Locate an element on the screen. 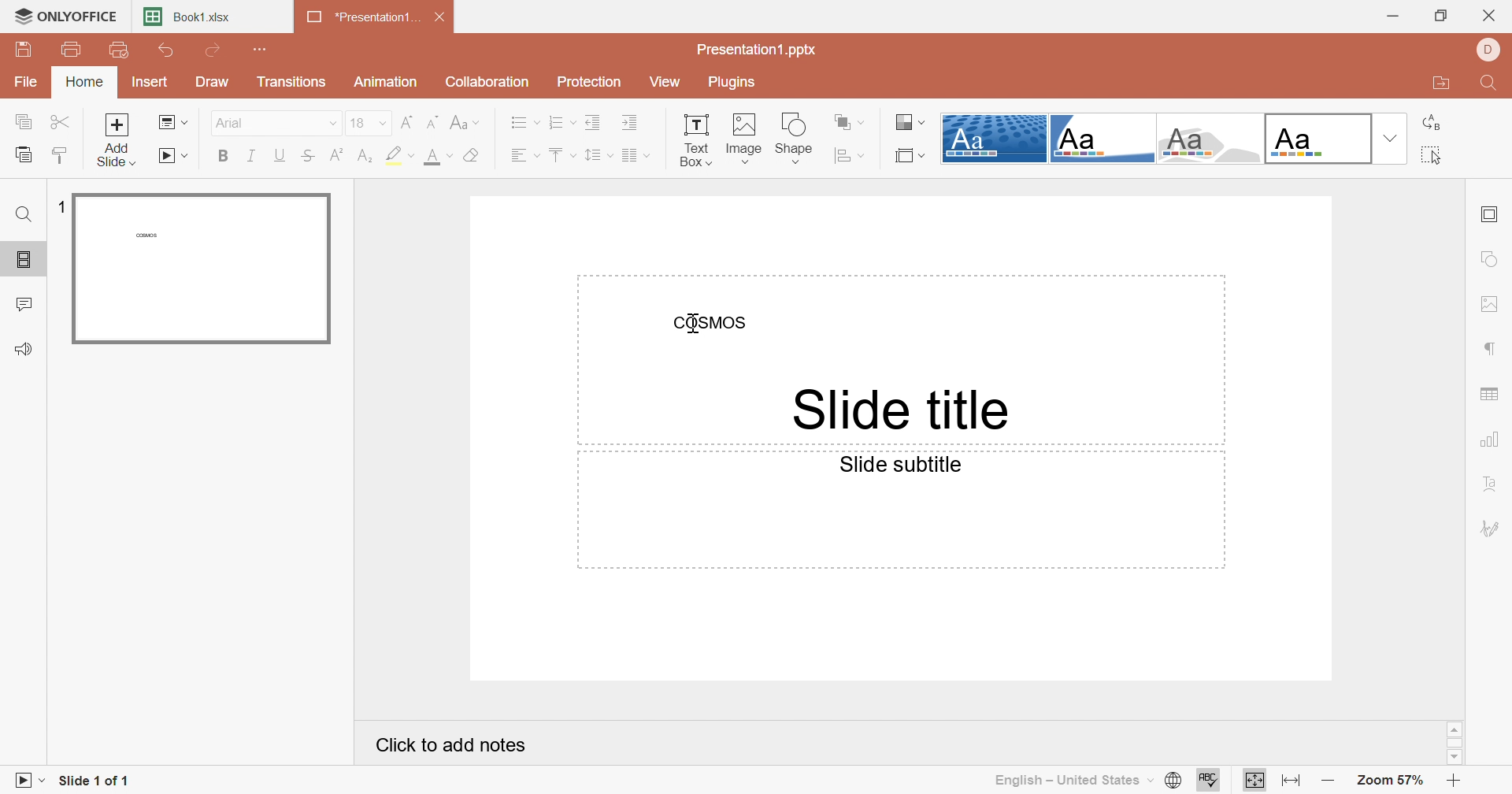 Image resolution: width=1512 pixels, height=794 pixels. Slides is located at coordinates (24, 259).